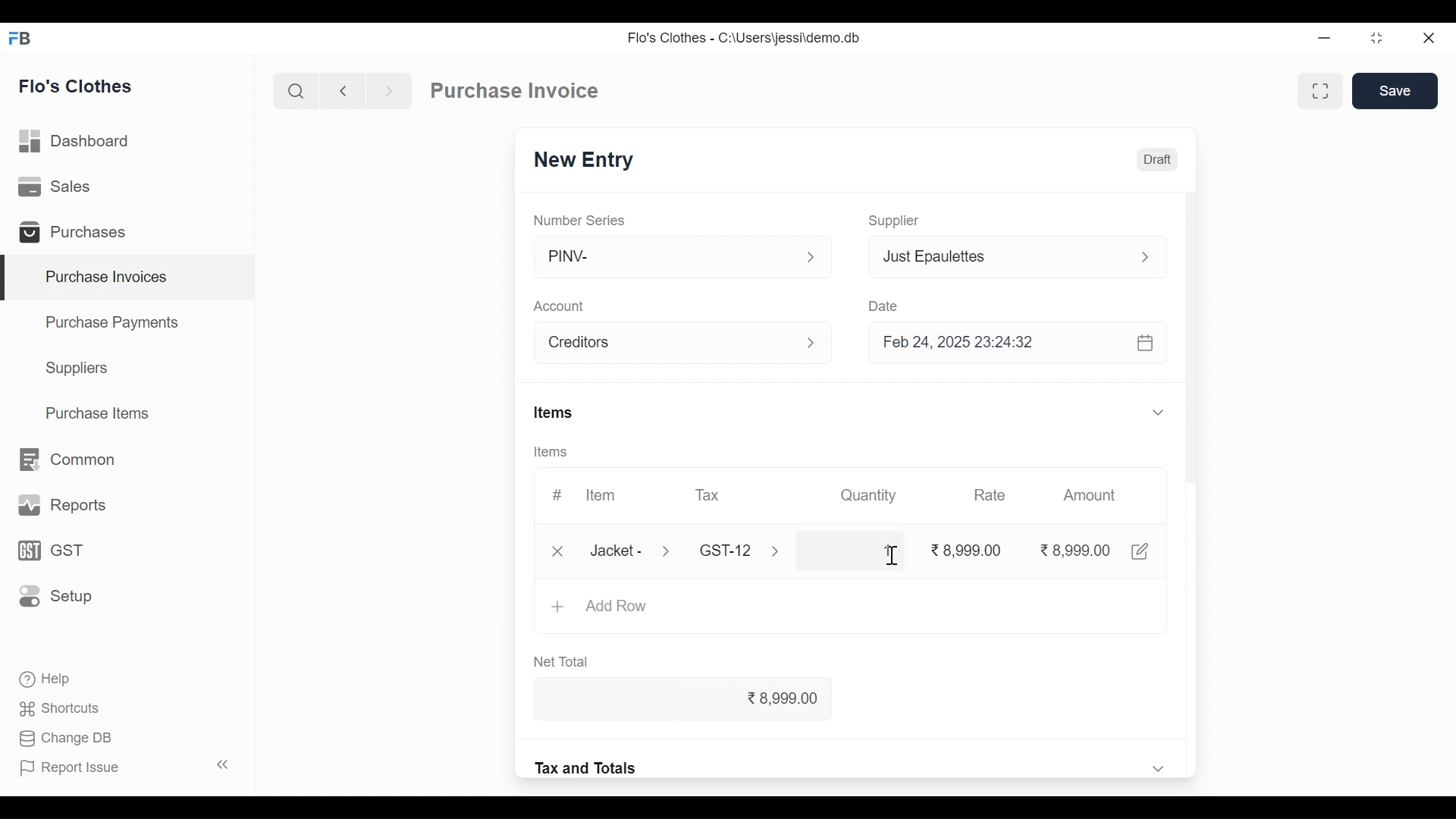  I want to click on Close, so click(1429, 38).